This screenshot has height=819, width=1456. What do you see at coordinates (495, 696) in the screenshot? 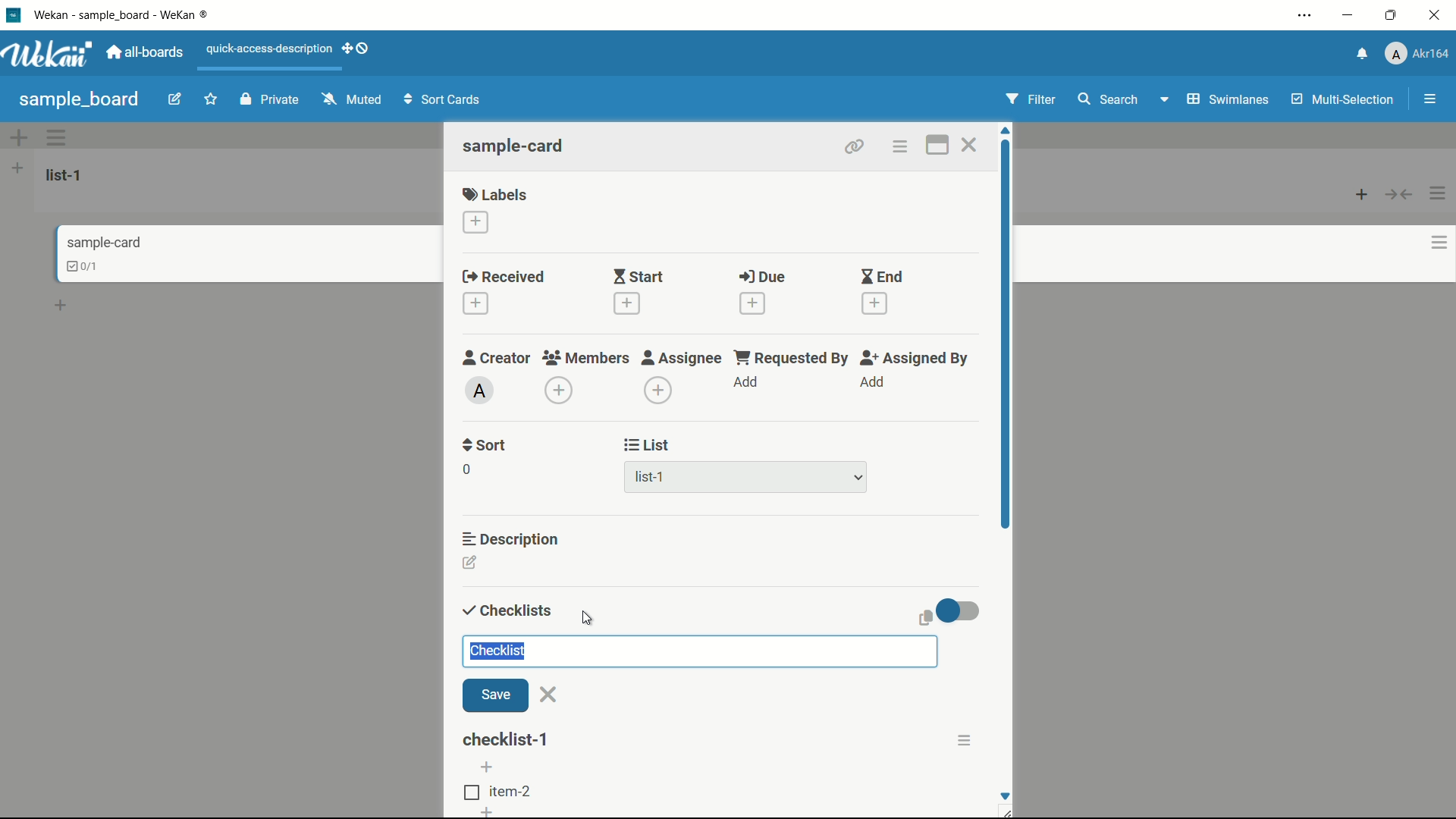
I see `save` at bounding box center [495, 696].